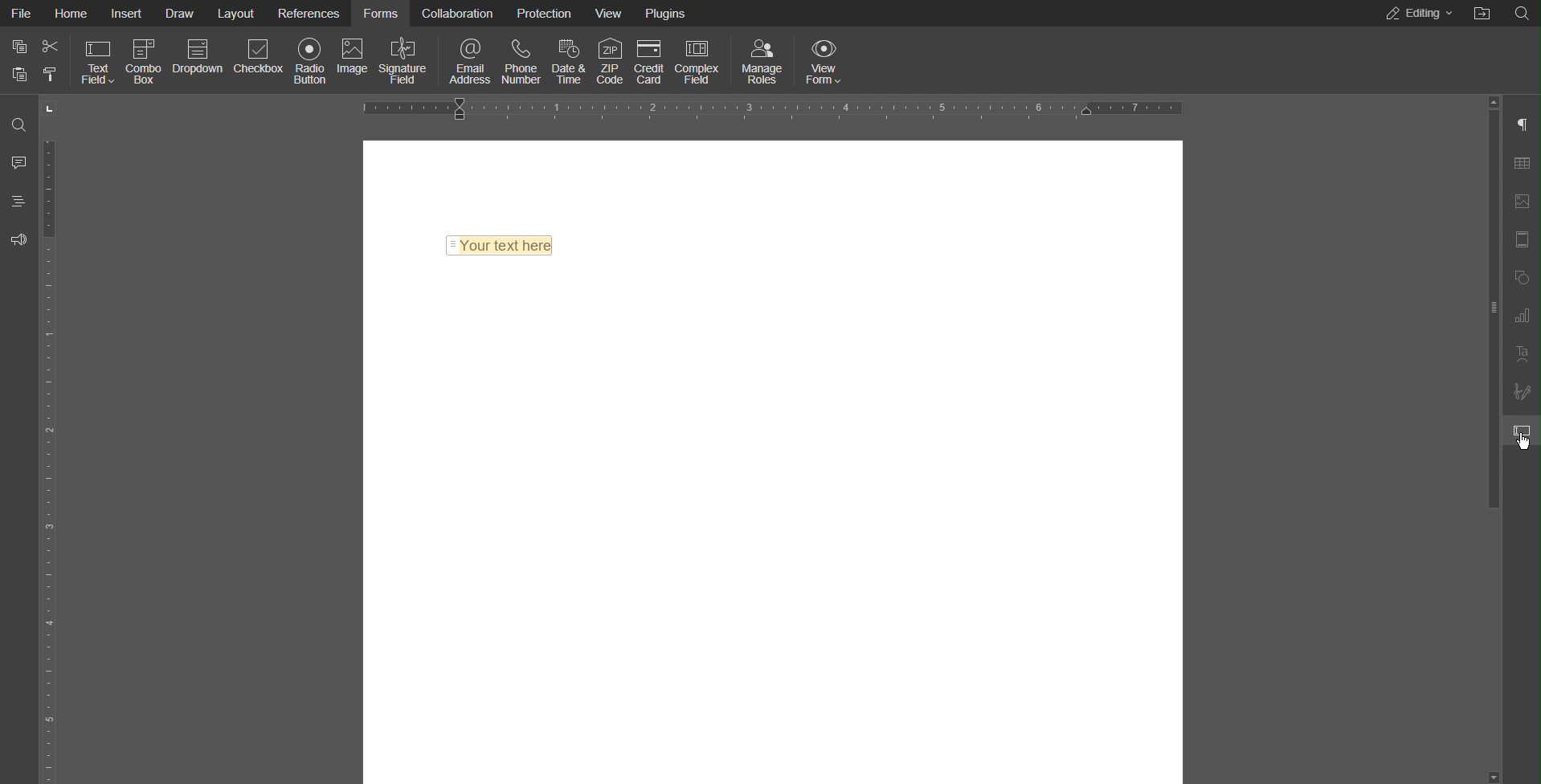  Describe the element at coordinates (354, 59) in the screenshot. I see `Image` at that location.